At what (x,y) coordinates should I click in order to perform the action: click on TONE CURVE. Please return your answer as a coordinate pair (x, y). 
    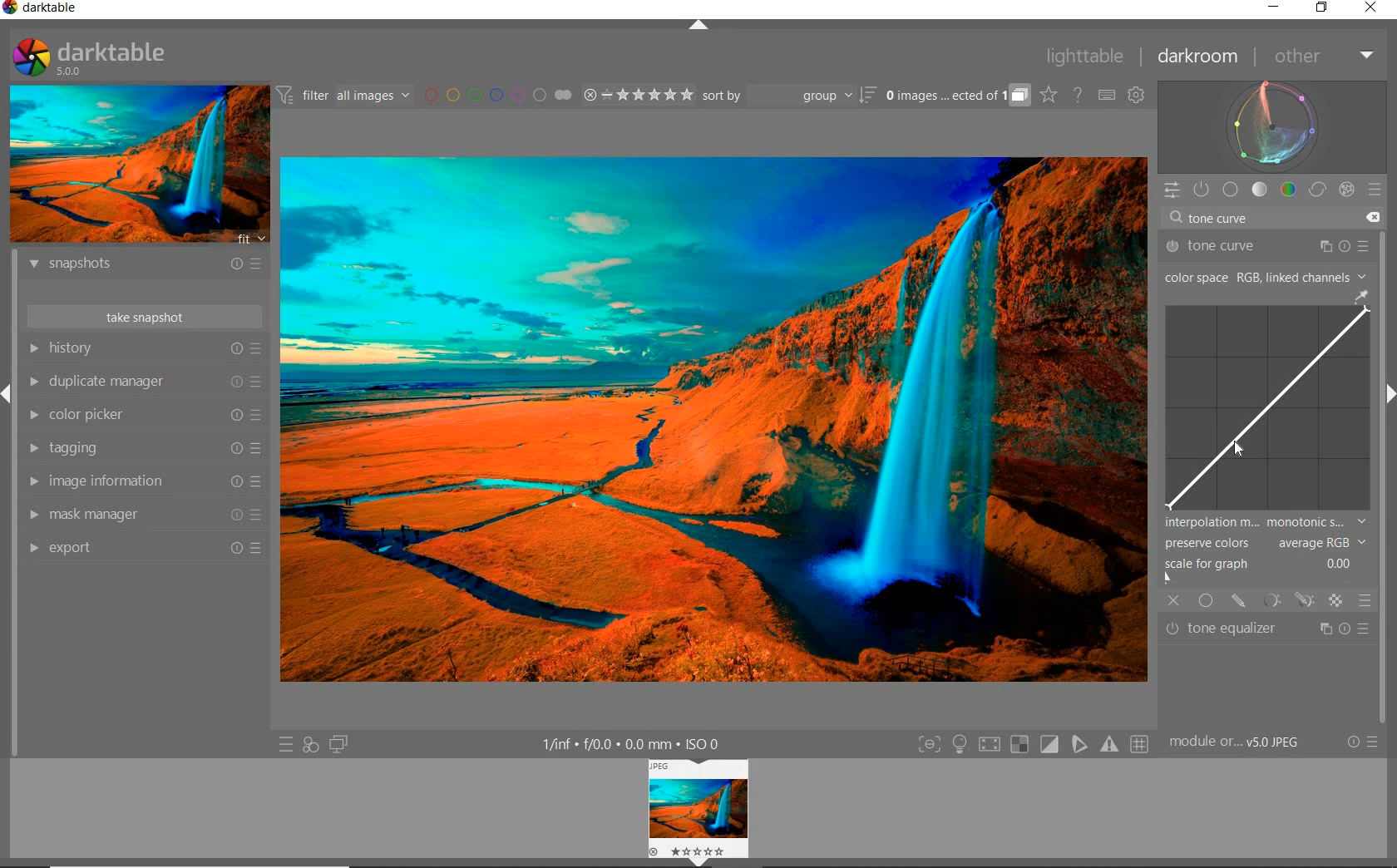
    Looking at the image, I should click on (1269, 400).